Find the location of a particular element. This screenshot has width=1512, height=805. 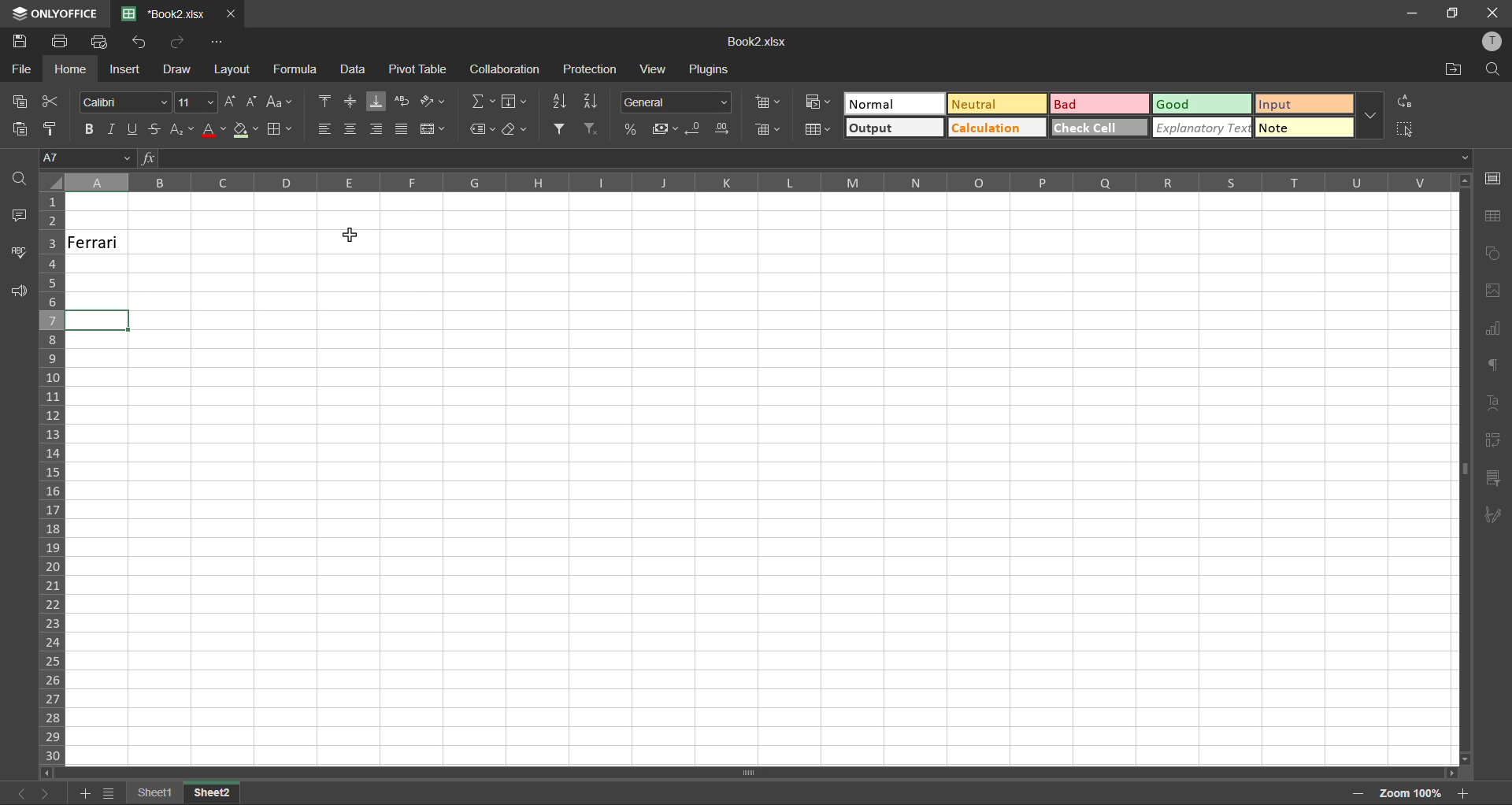

feedback is located at coordinates (25, 292).